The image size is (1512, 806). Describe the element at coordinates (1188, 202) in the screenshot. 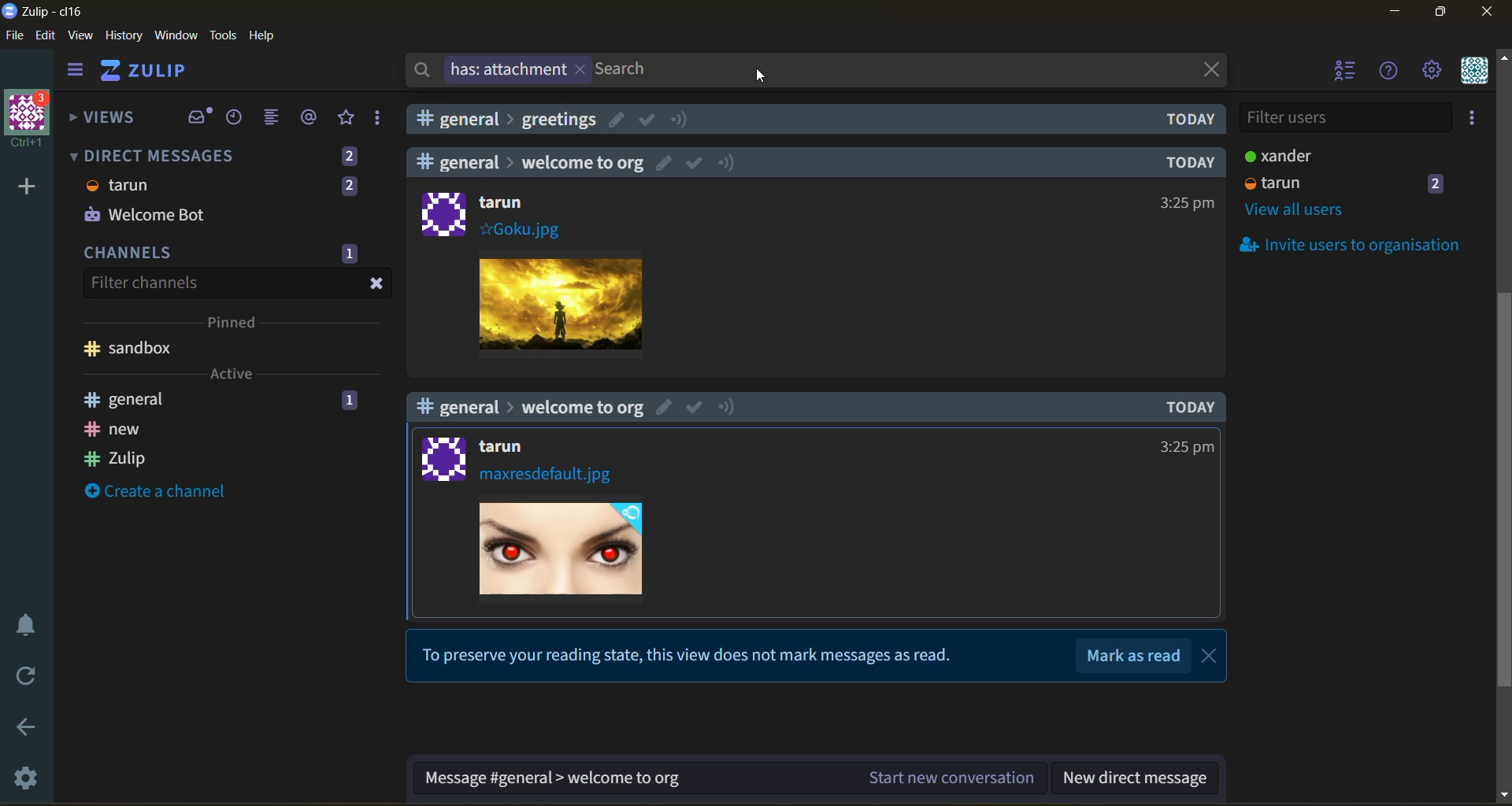

I see `325pm` at that location.